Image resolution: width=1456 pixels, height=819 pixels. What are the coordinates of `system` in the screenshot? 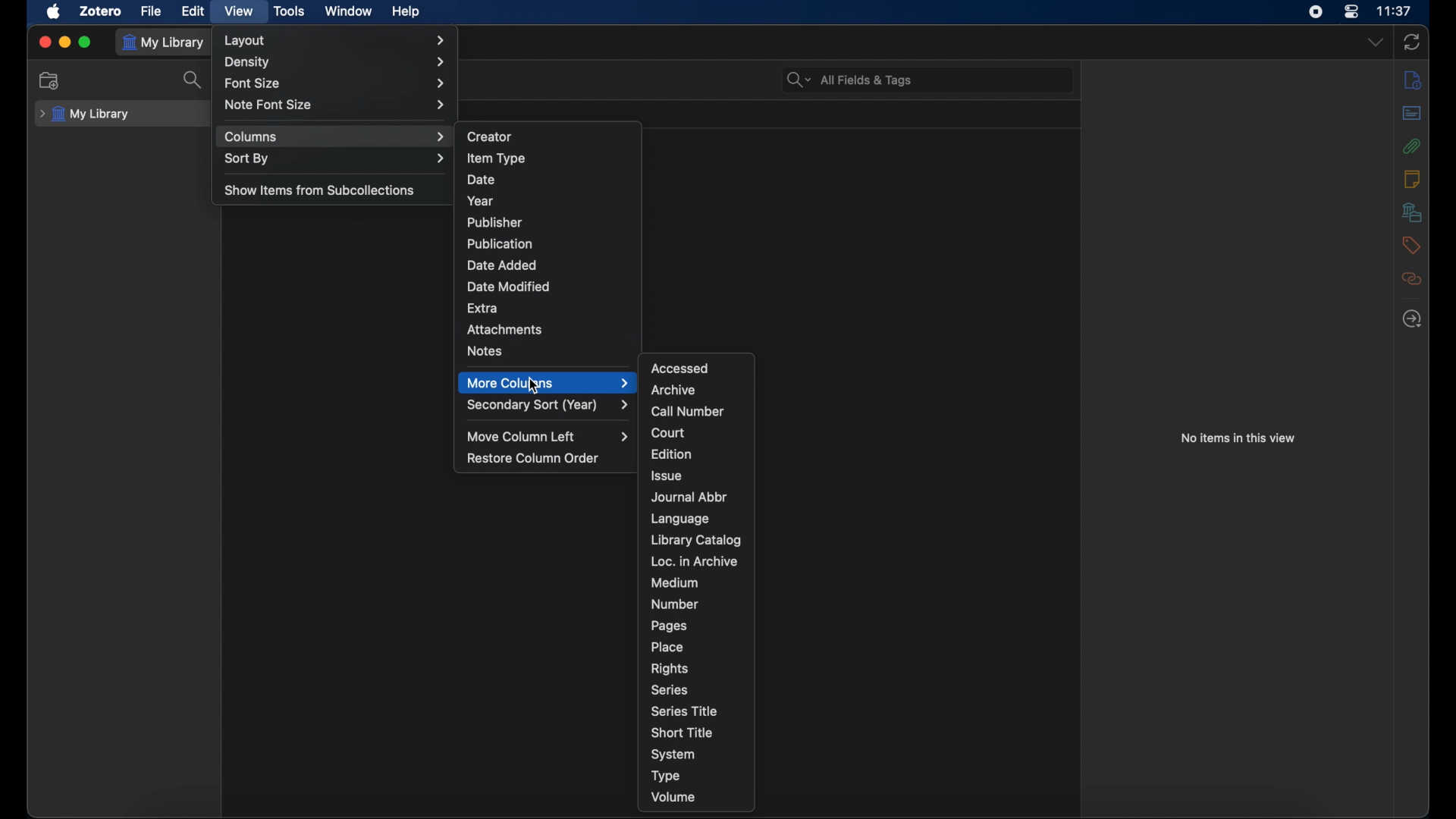 It's located at (674, 755).